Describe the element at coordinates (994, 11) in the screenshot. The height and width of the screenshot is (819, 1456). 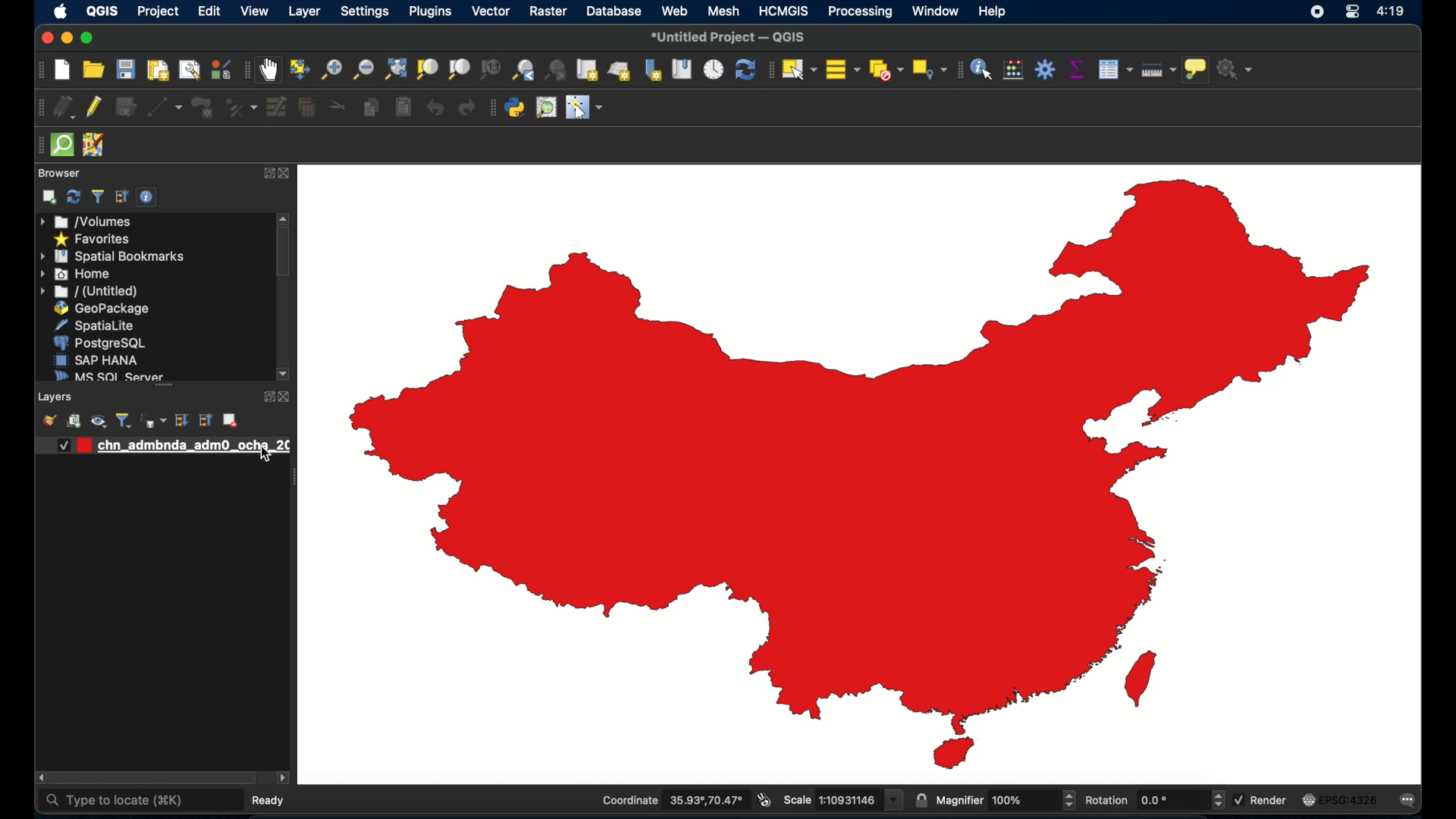
I see `help` at that location.